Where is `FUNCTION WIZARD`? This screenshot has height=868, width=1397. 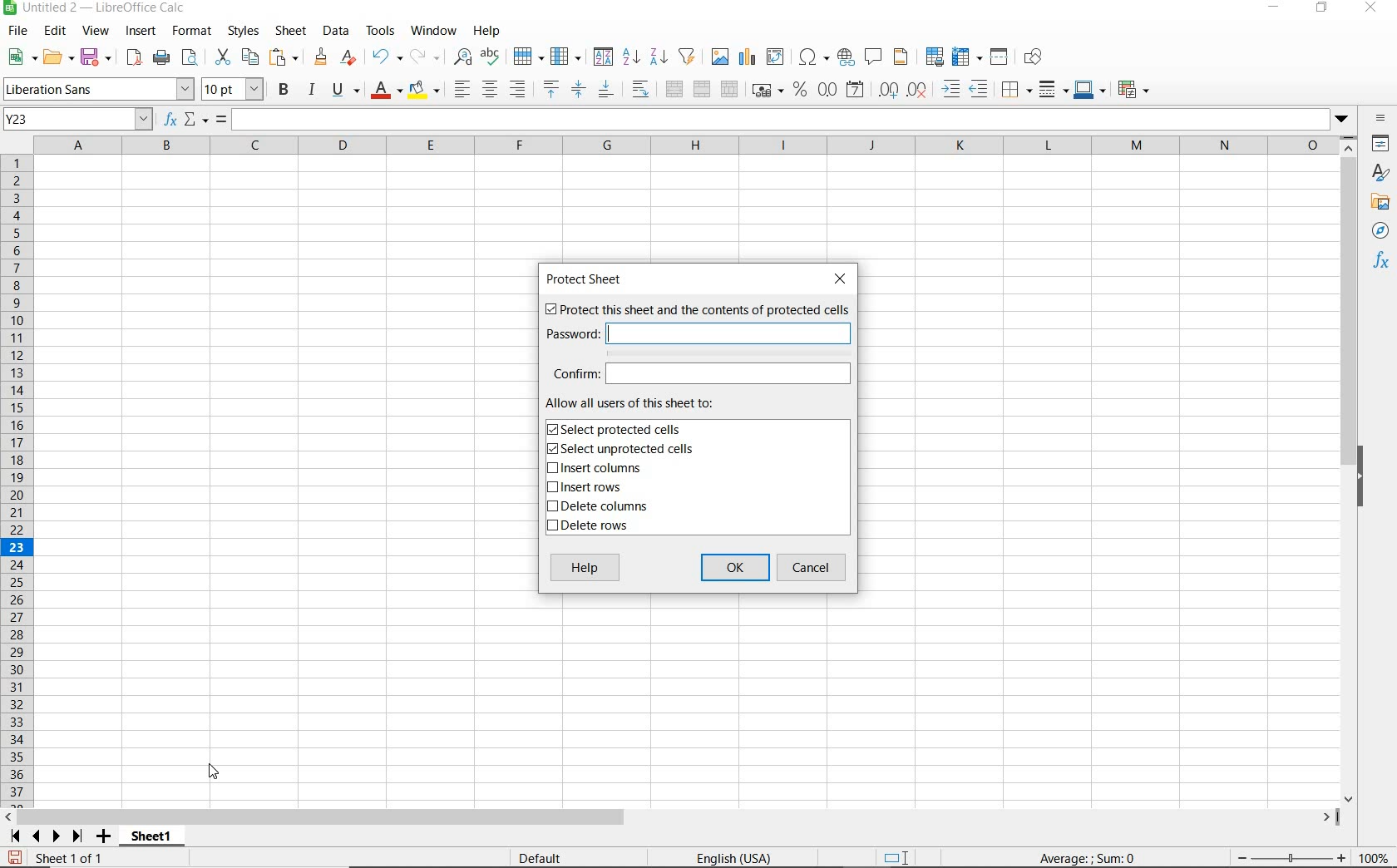 FUNCTION WIZARD is located at coordinates (170, 121).